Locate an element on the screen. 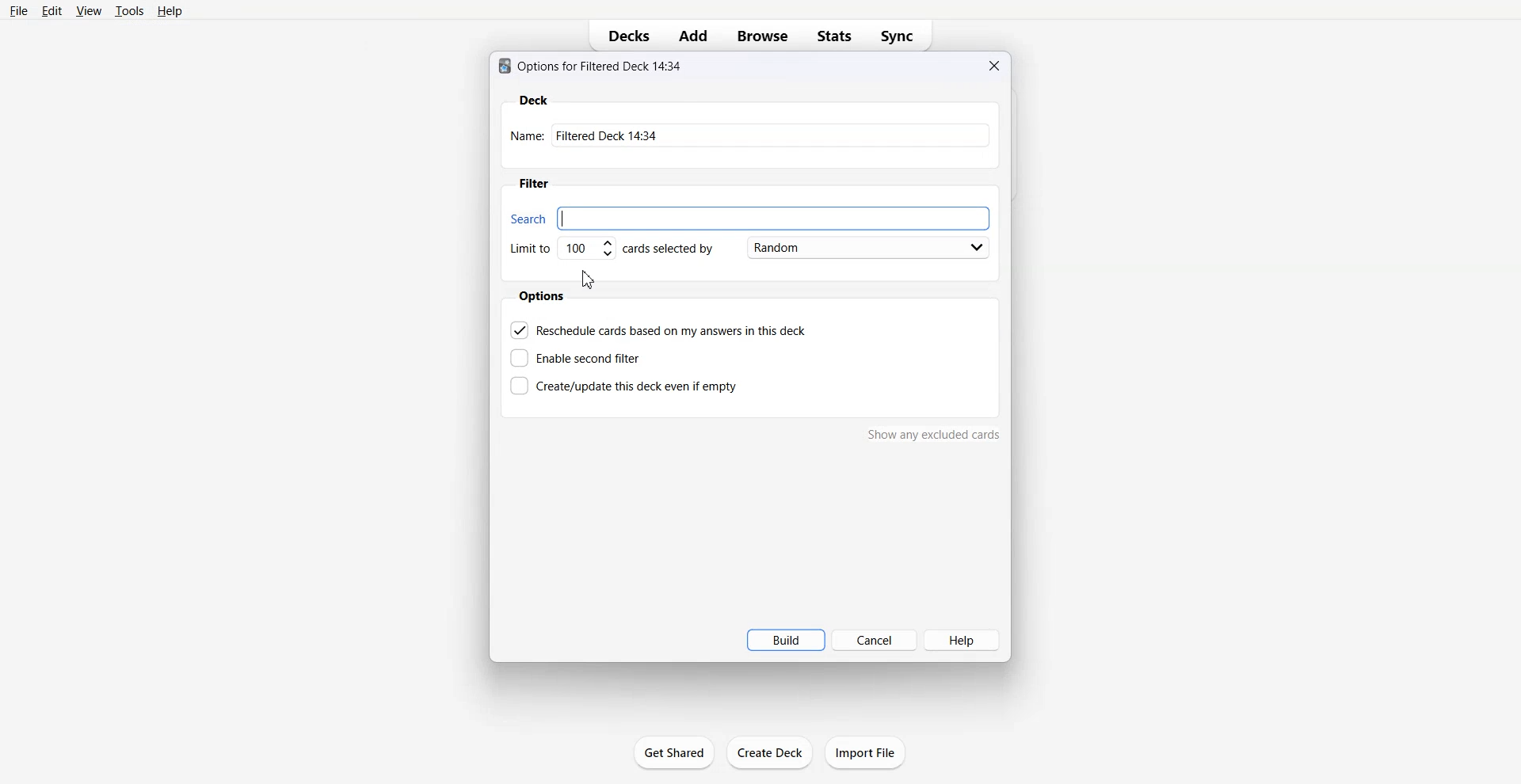 The width and height of the screenshot is (1521, 784). Get Shared is located at coordinates (674, 752).